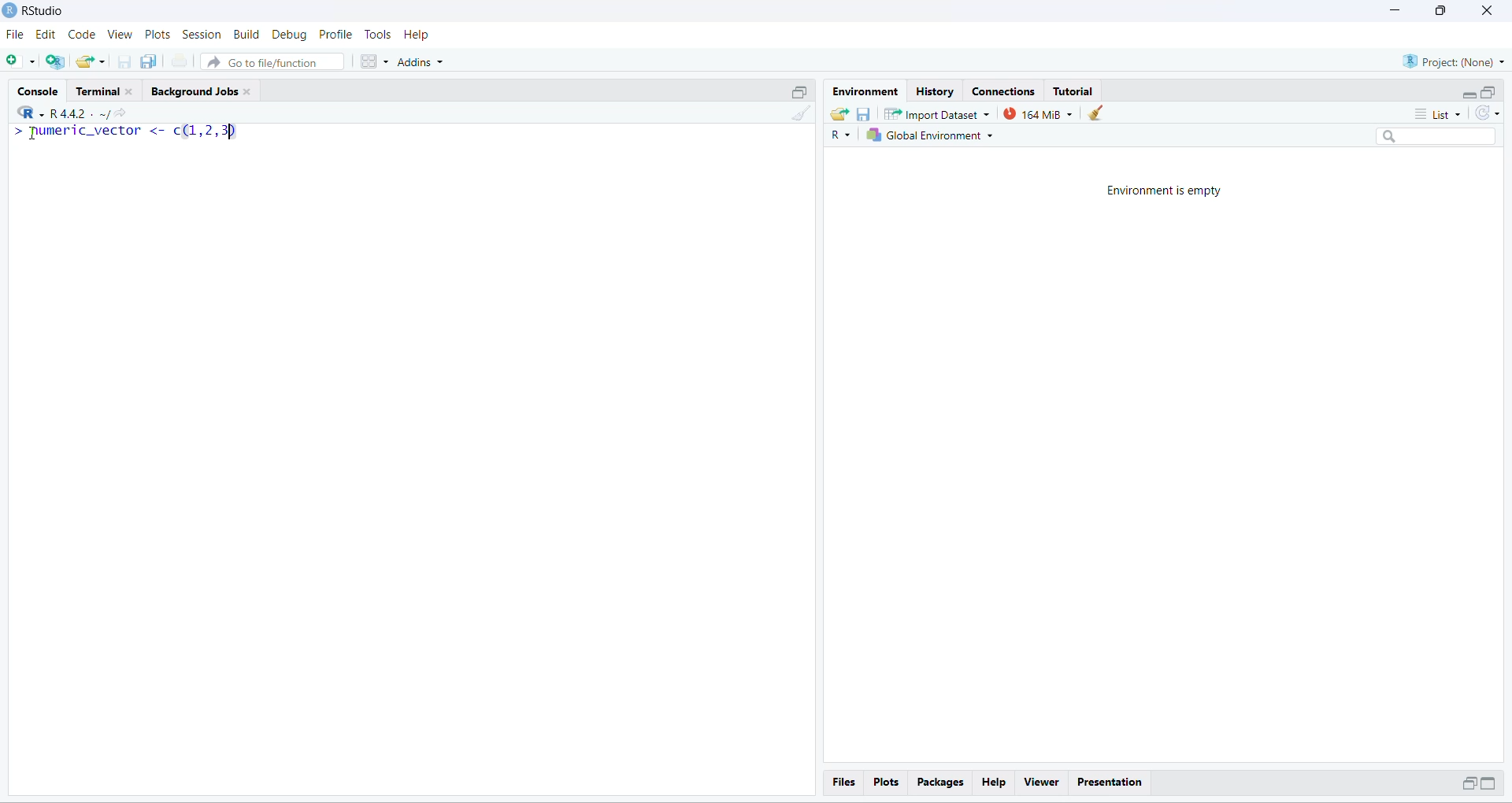 This screenshot has height=803, width=1512. Describe the element at coordinates (804, 114) in the screenshot. I see `clear console` at that location.